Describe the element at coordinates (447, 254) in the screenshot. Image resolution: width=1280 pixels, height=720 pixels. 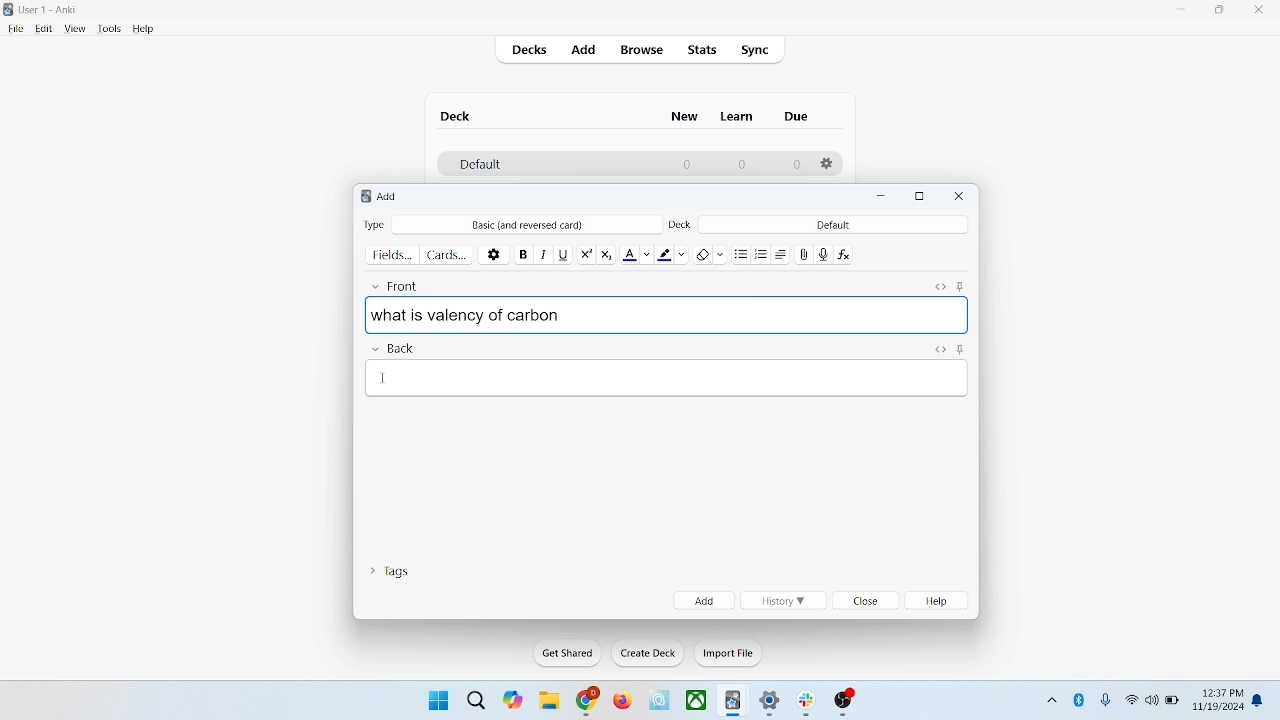
I see `cards` at that location.